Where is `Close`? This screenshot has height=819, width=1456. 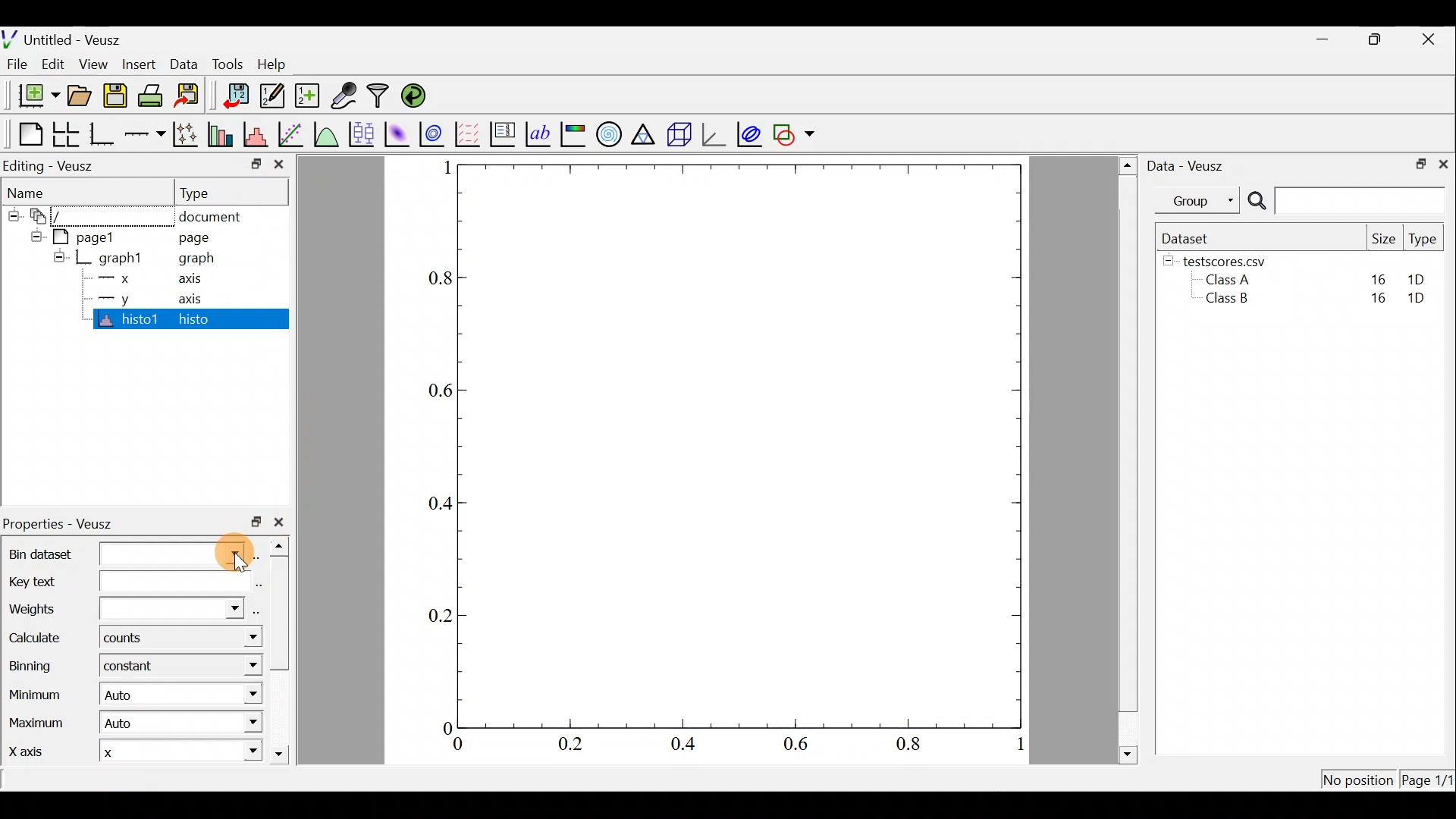 Close is located at coordinates (1445, 165).